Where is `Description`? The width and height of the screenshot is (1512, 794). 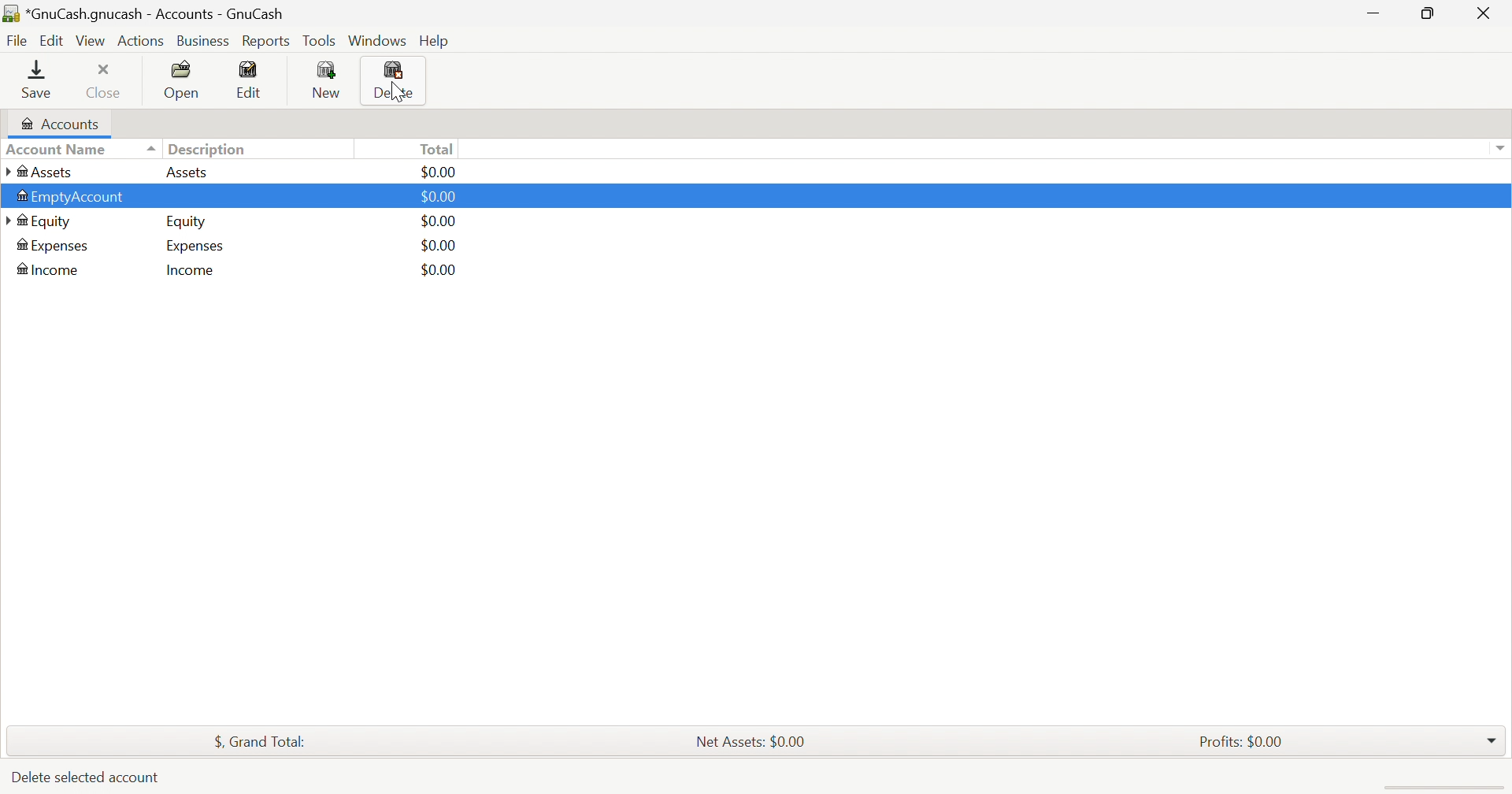 Description is located at coordinates (210, 149).